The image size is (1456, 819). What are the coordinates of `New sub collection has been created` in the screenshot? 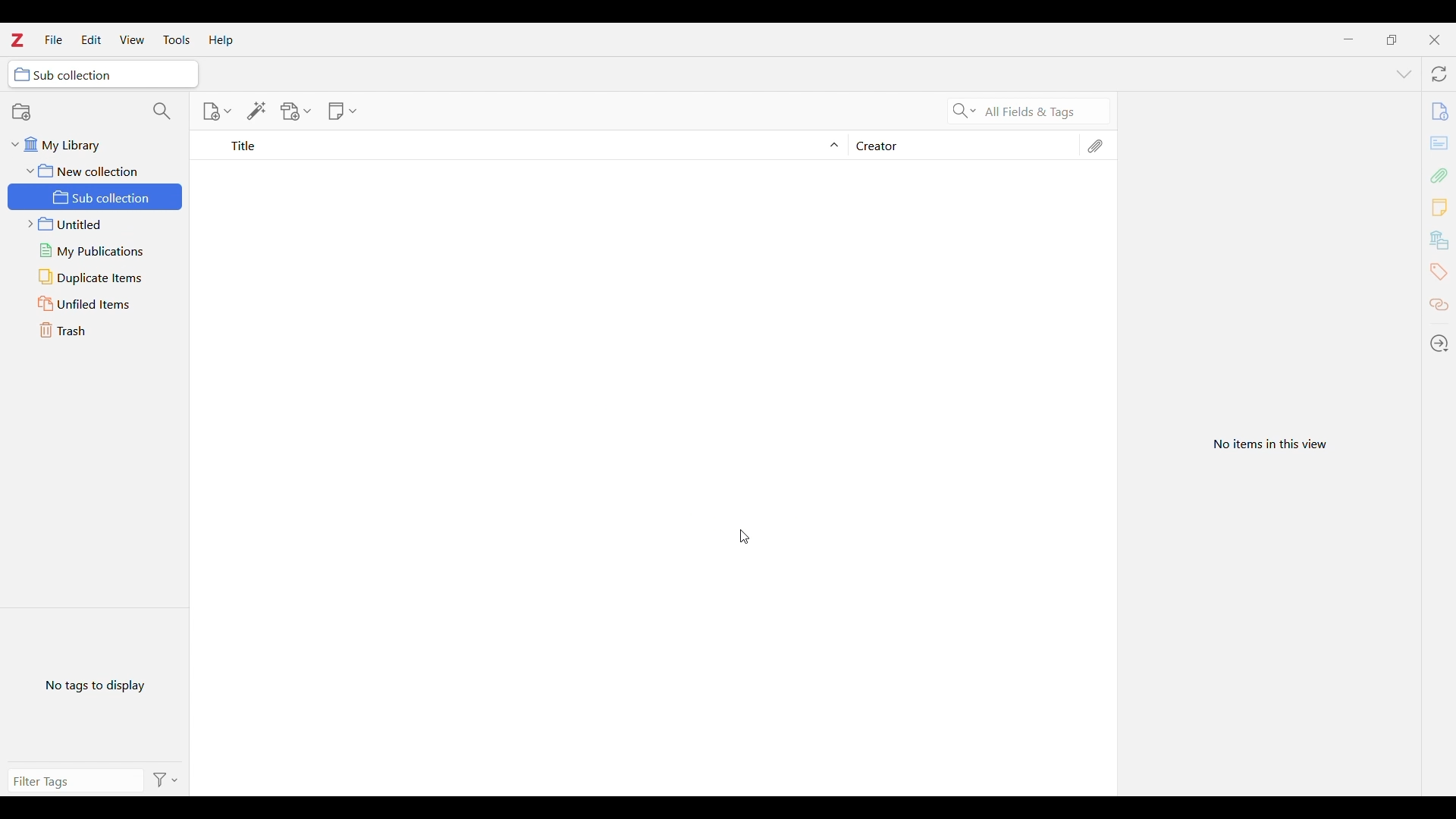 It's located at (96, 197).